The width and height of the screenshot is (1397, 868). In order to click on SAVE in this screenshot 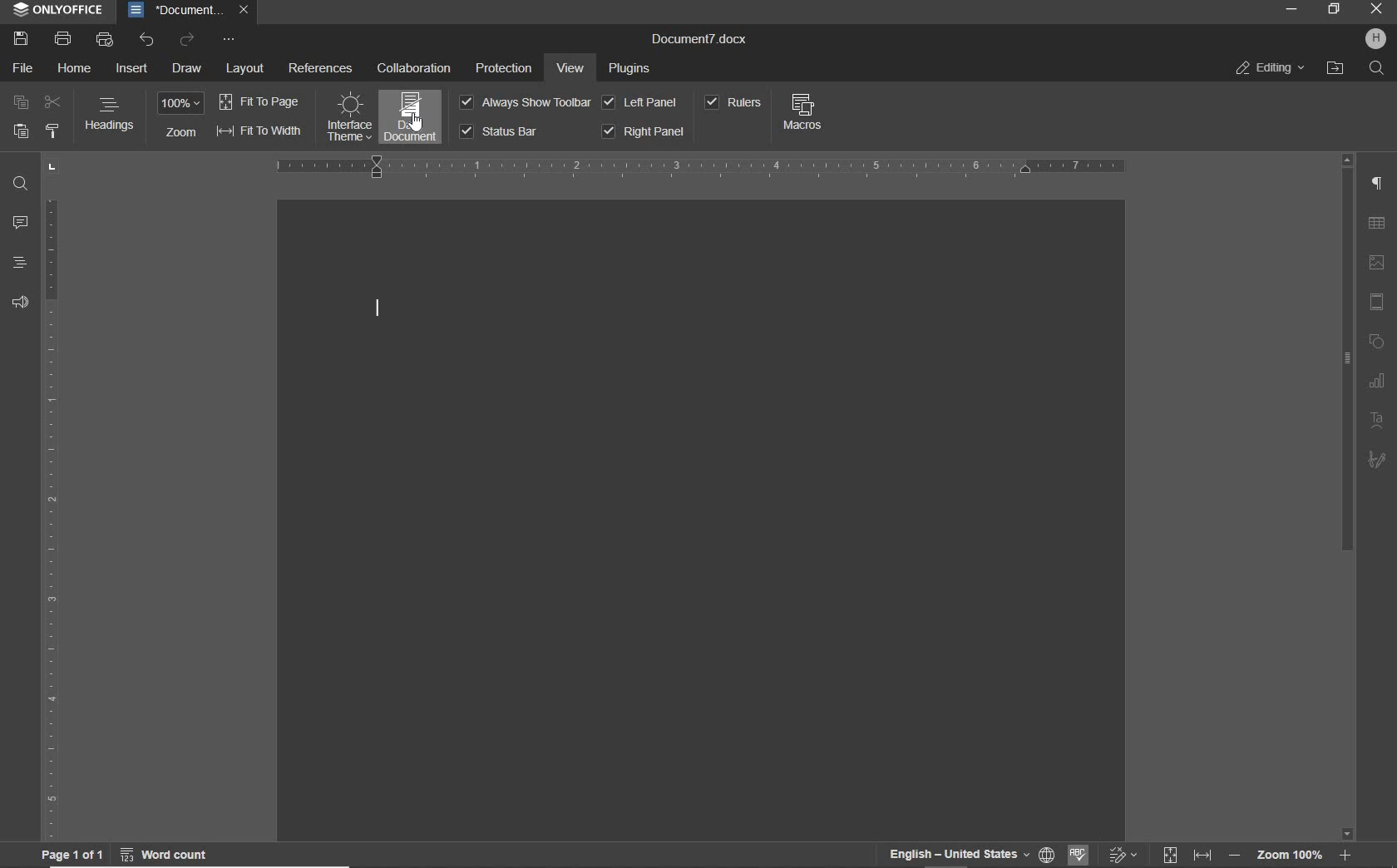, I will do `click(21, 39)`.